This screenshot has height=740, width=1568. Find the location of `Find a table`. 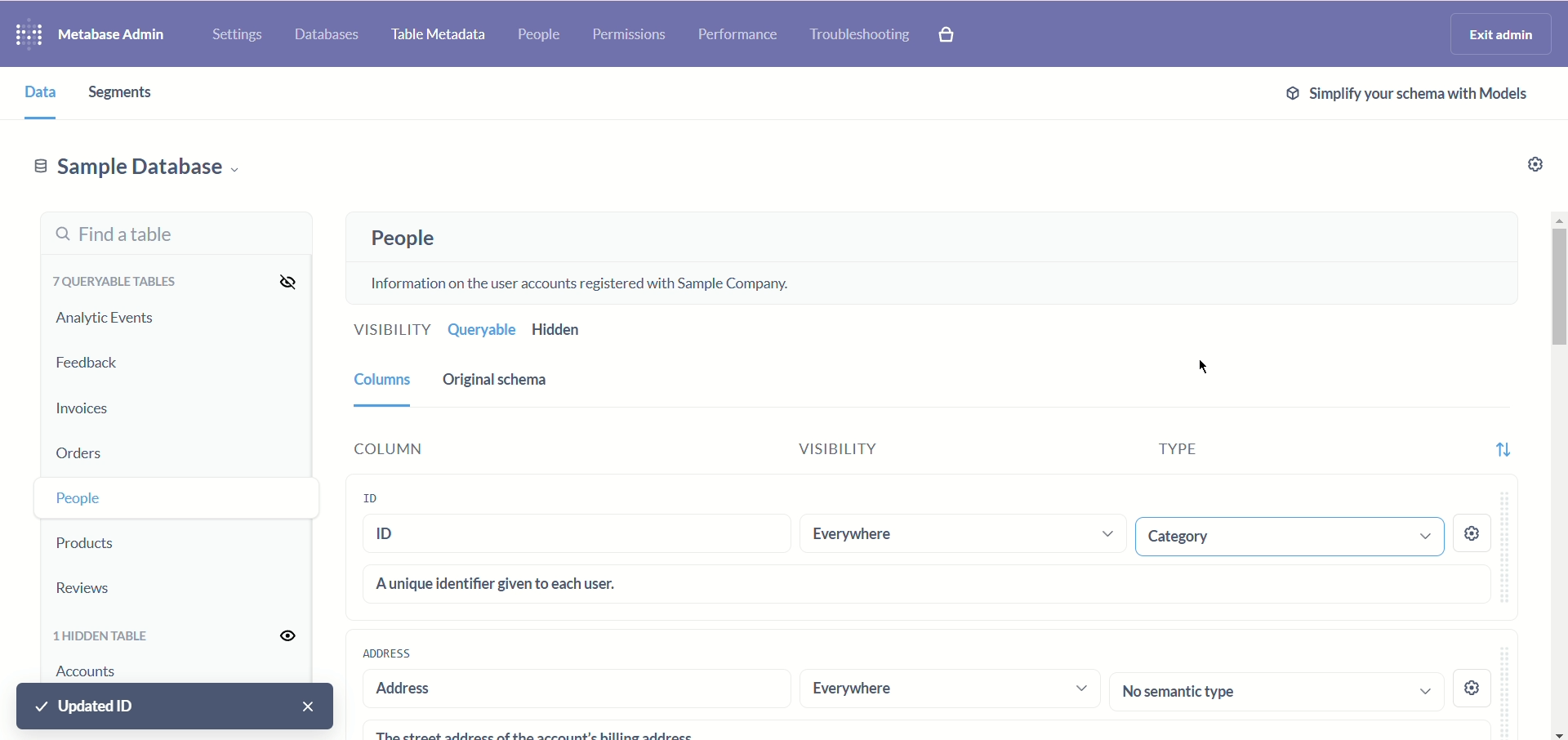

Find a table is located at coordinates (172, 234).